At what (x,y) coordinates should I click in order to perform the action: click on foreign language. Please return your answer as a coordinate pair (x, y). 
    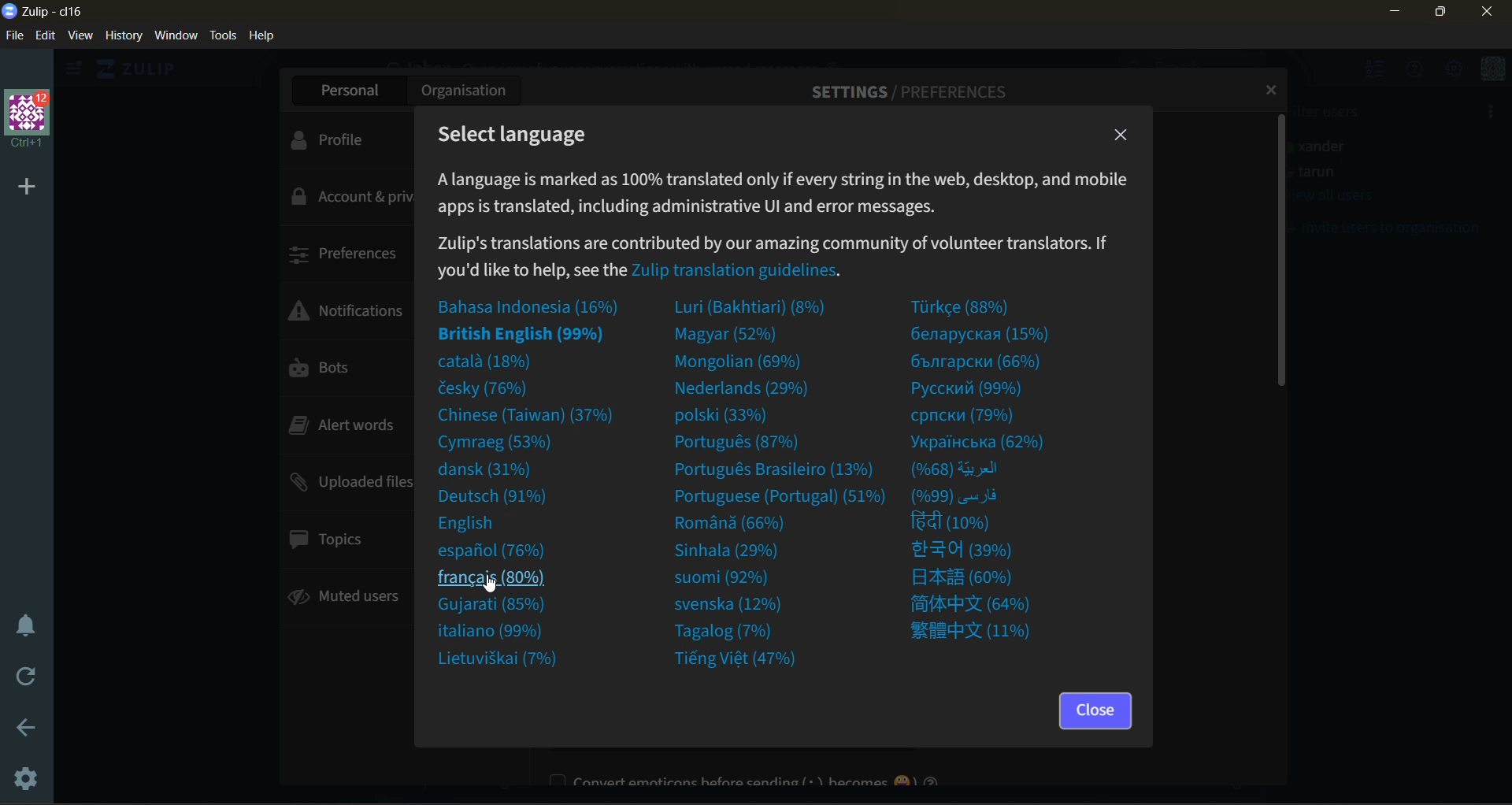
    Looking at the image, I should click on (978, 390).